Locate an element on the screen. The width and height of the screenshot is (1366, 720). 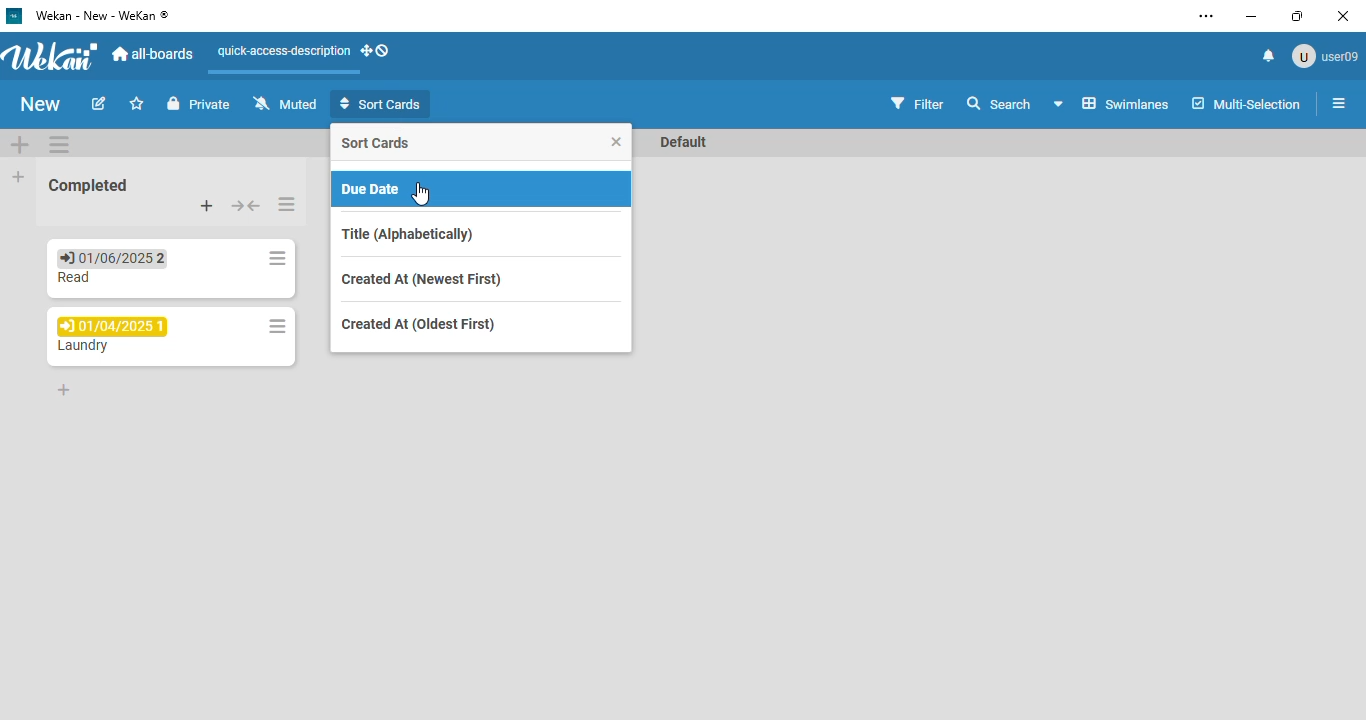
01/06/2025  is located at coordinates (109, 257).